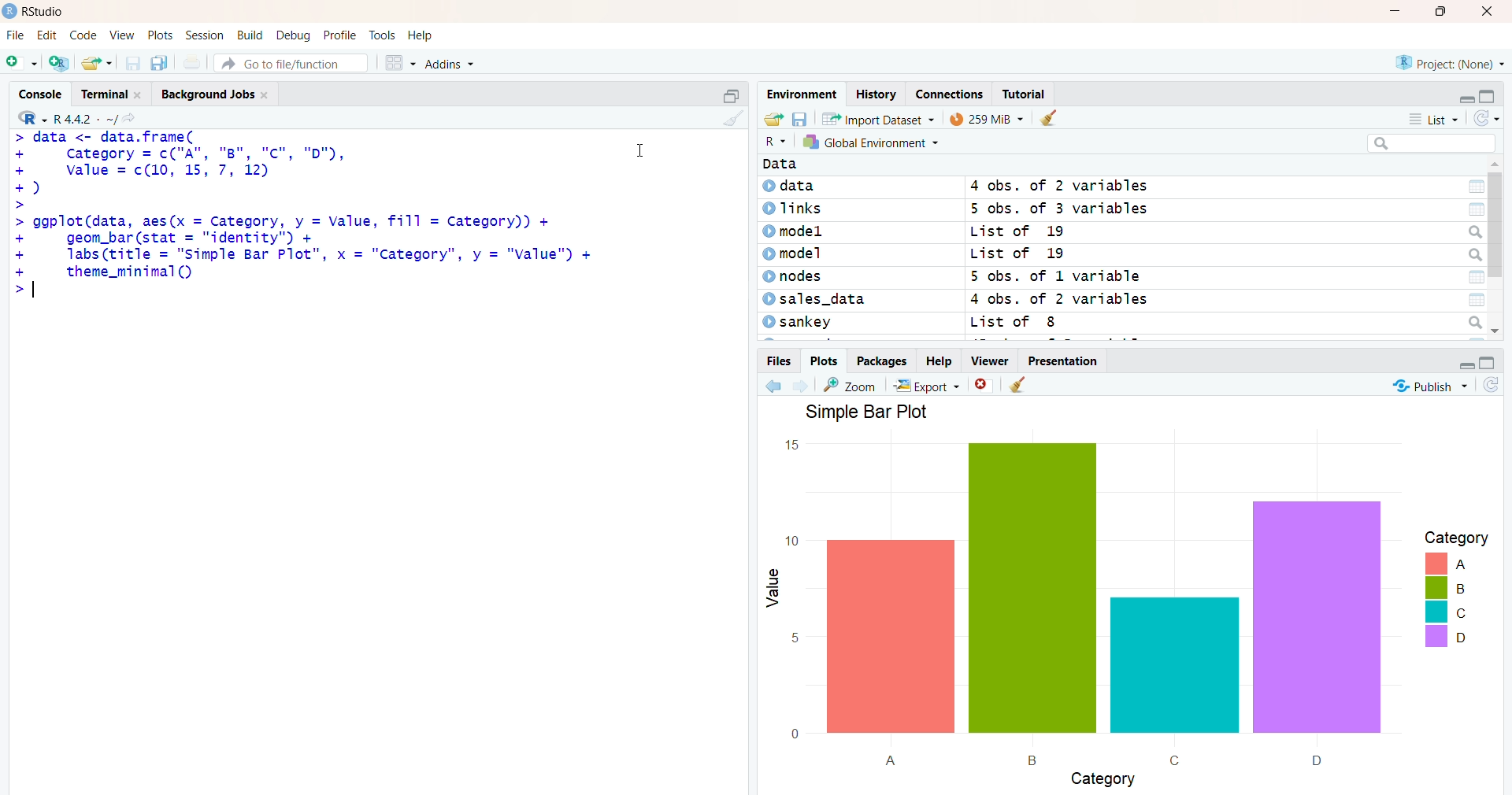 This screenshot has height=795, width=1512. What do you see at coordinates (1400, 11) in the screenshot?
I see `minimize` at bounding box center [1400, 11].